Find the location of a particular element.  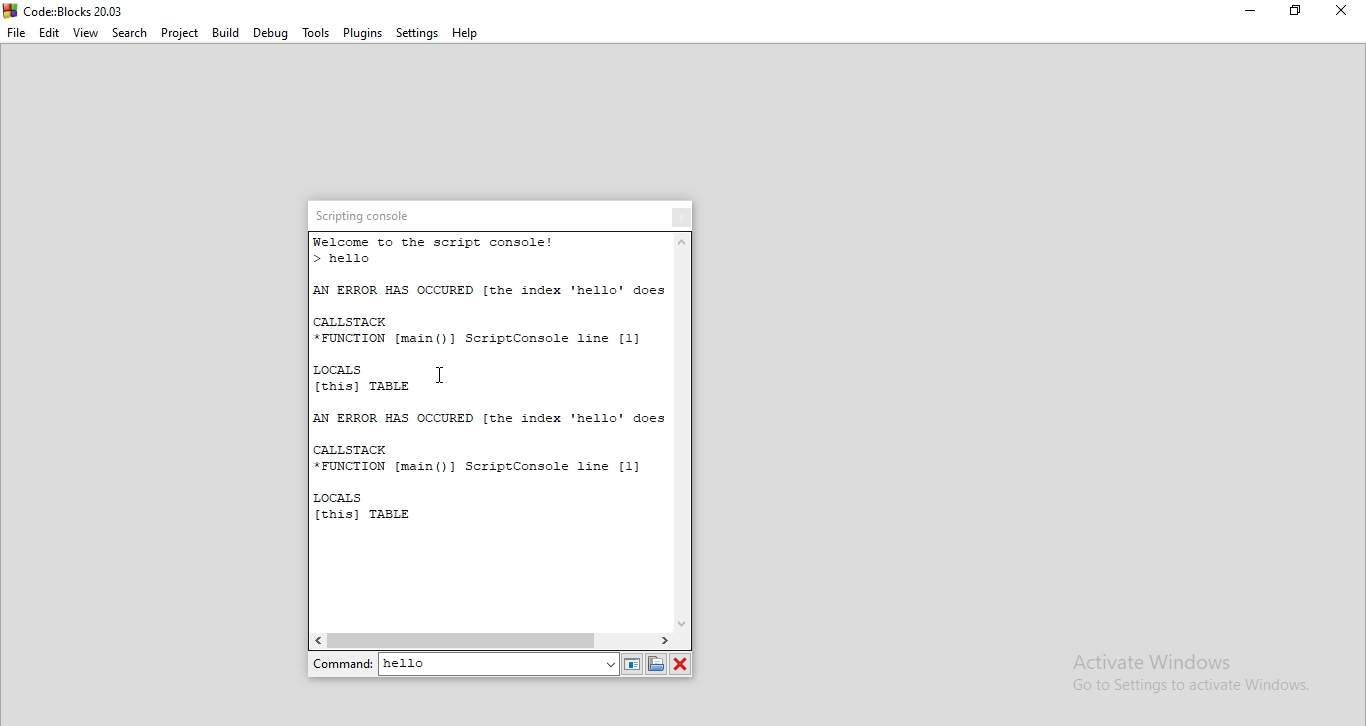

Project  is located at coordinates (179, 33).